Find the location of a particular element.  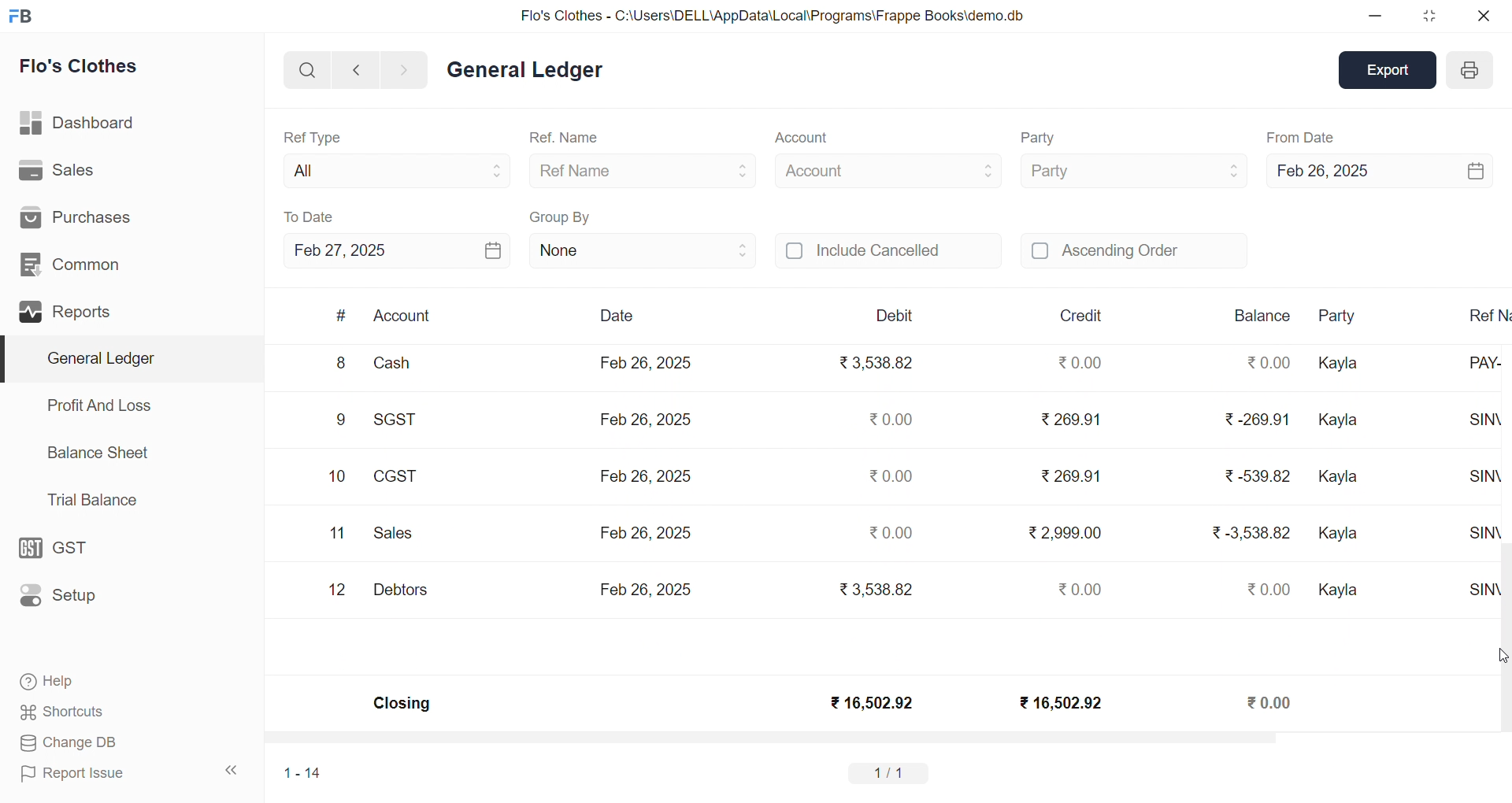

₹0.00 is located at coordinates (893, 529).